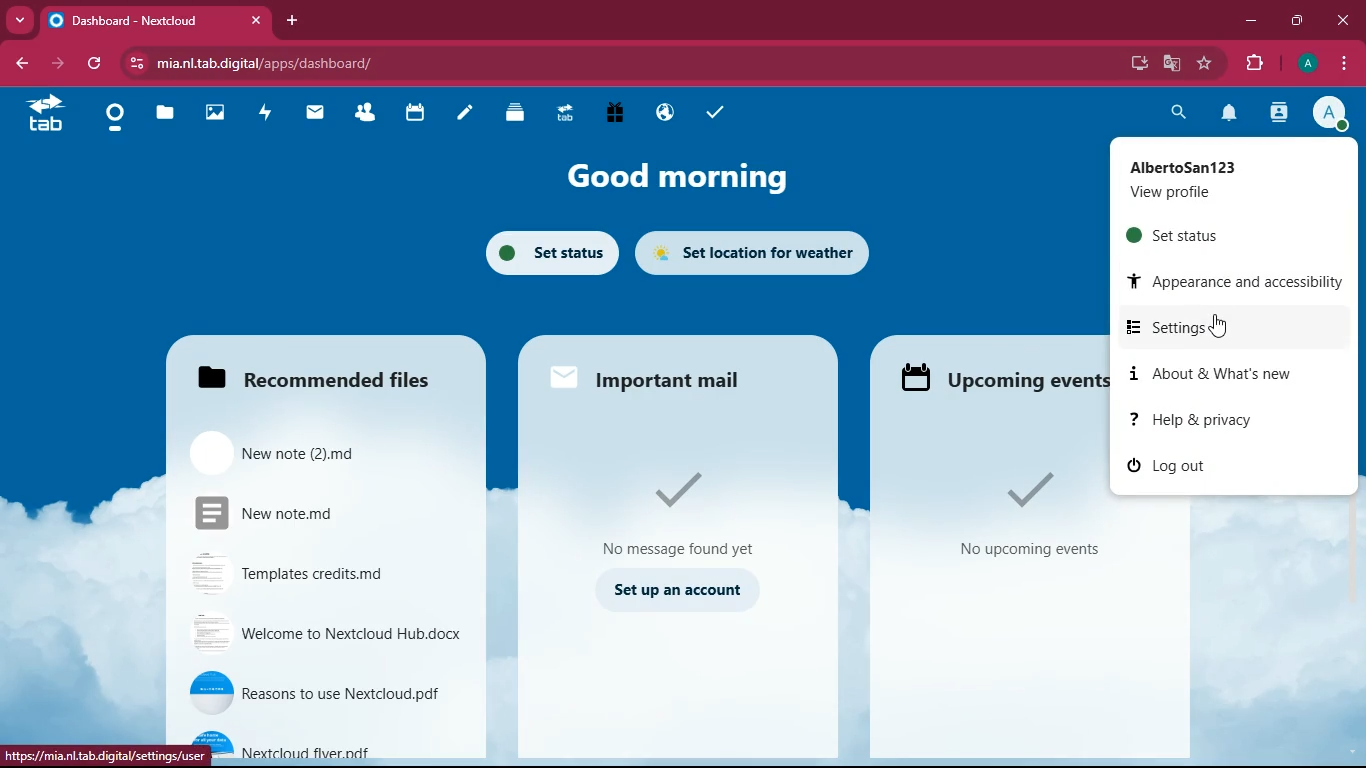 Image resolution: width=1366 pixels, height=768 pixels. Describe the element at coordinates (133, 64) in the screenshot. I see `View site information` at that location.